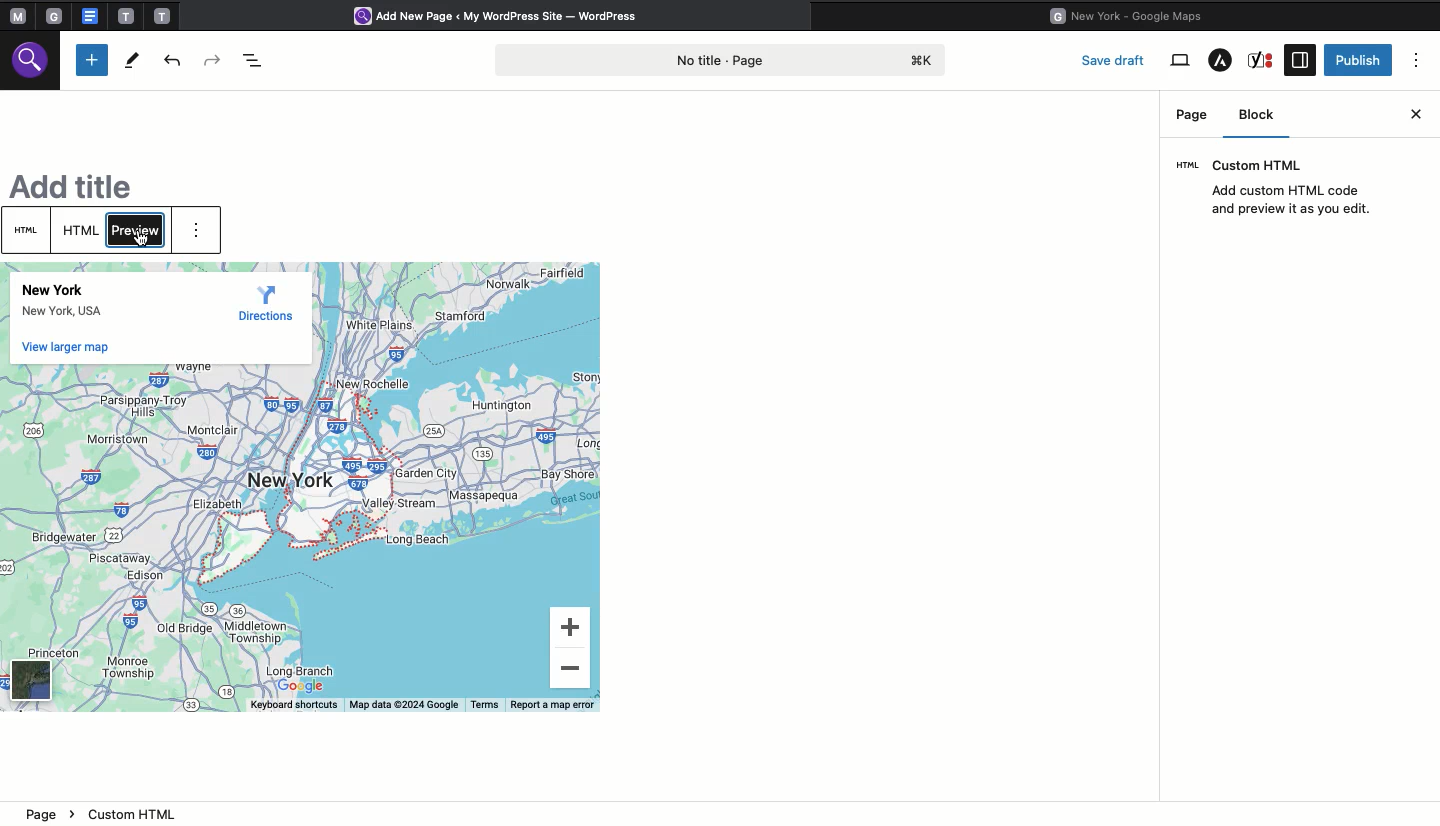 The height and width of the screenshot is (826, 1440). What do you see at coordinates (202, 234) in the screenshot?
I see `more` at bounding box center [202, 234].